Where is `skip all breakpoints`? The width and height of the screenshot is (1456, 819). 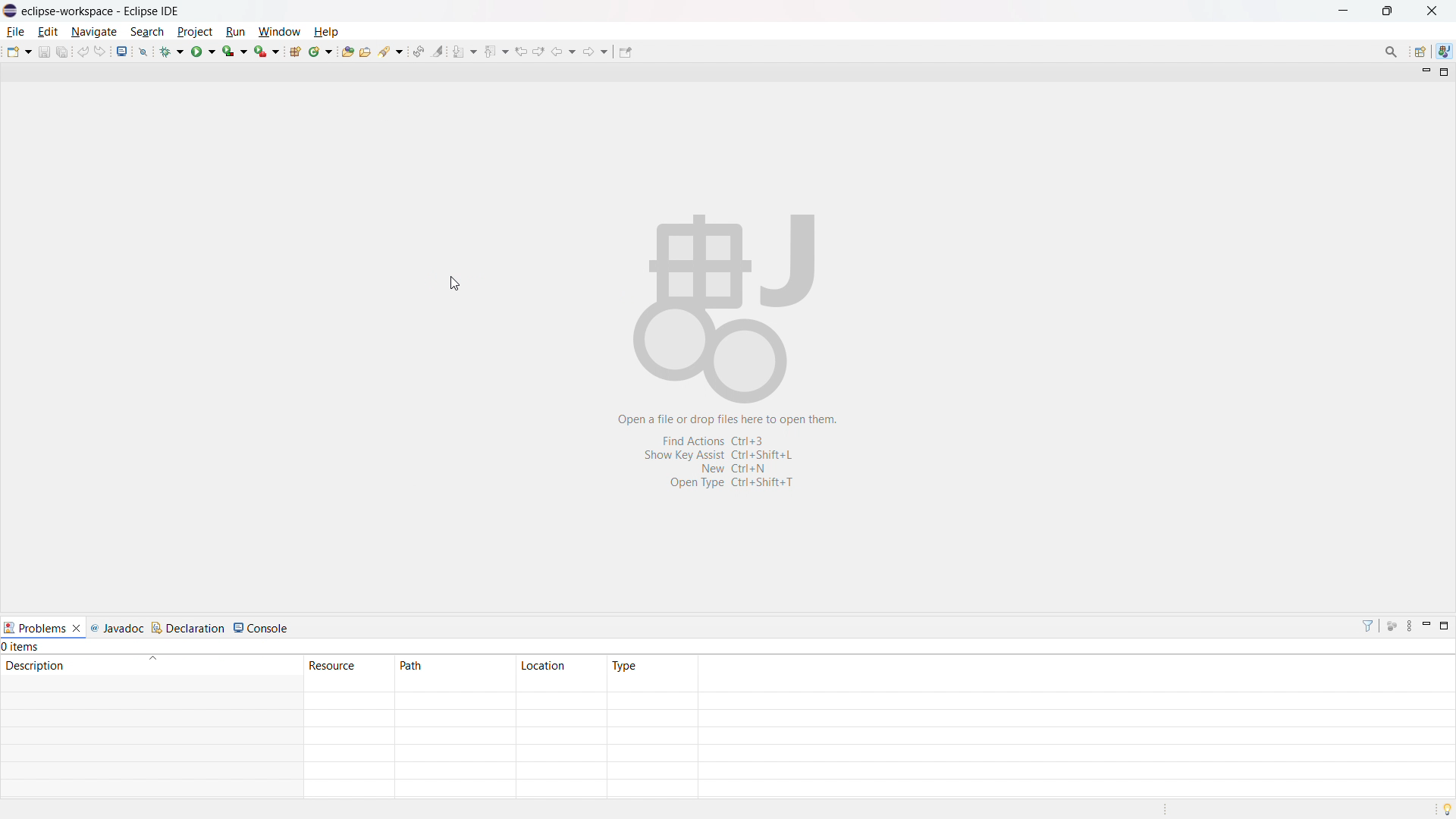 skip all breakpoints is located at coordinates (143, 52).